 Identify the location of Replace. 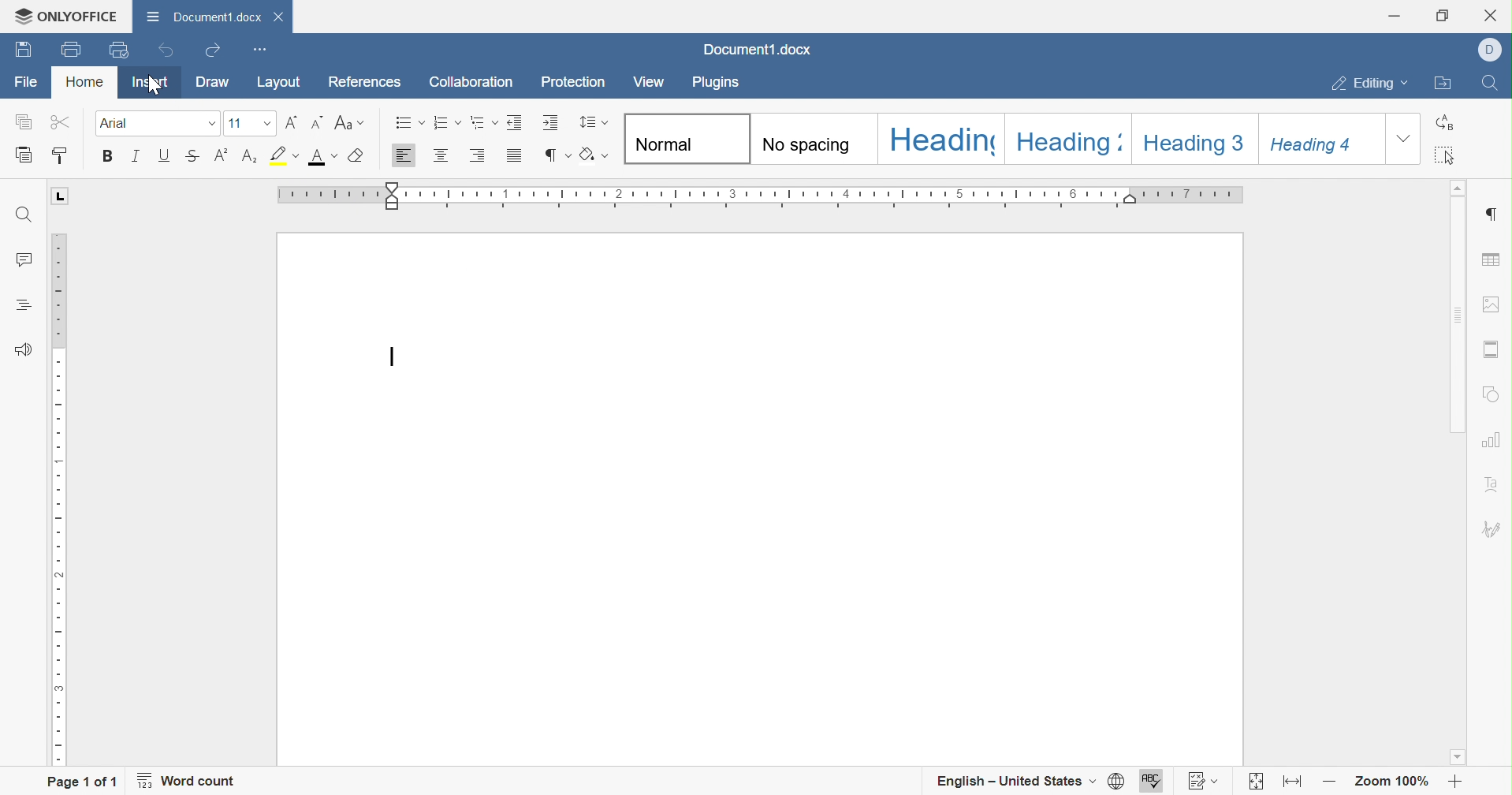
(1447, 122).